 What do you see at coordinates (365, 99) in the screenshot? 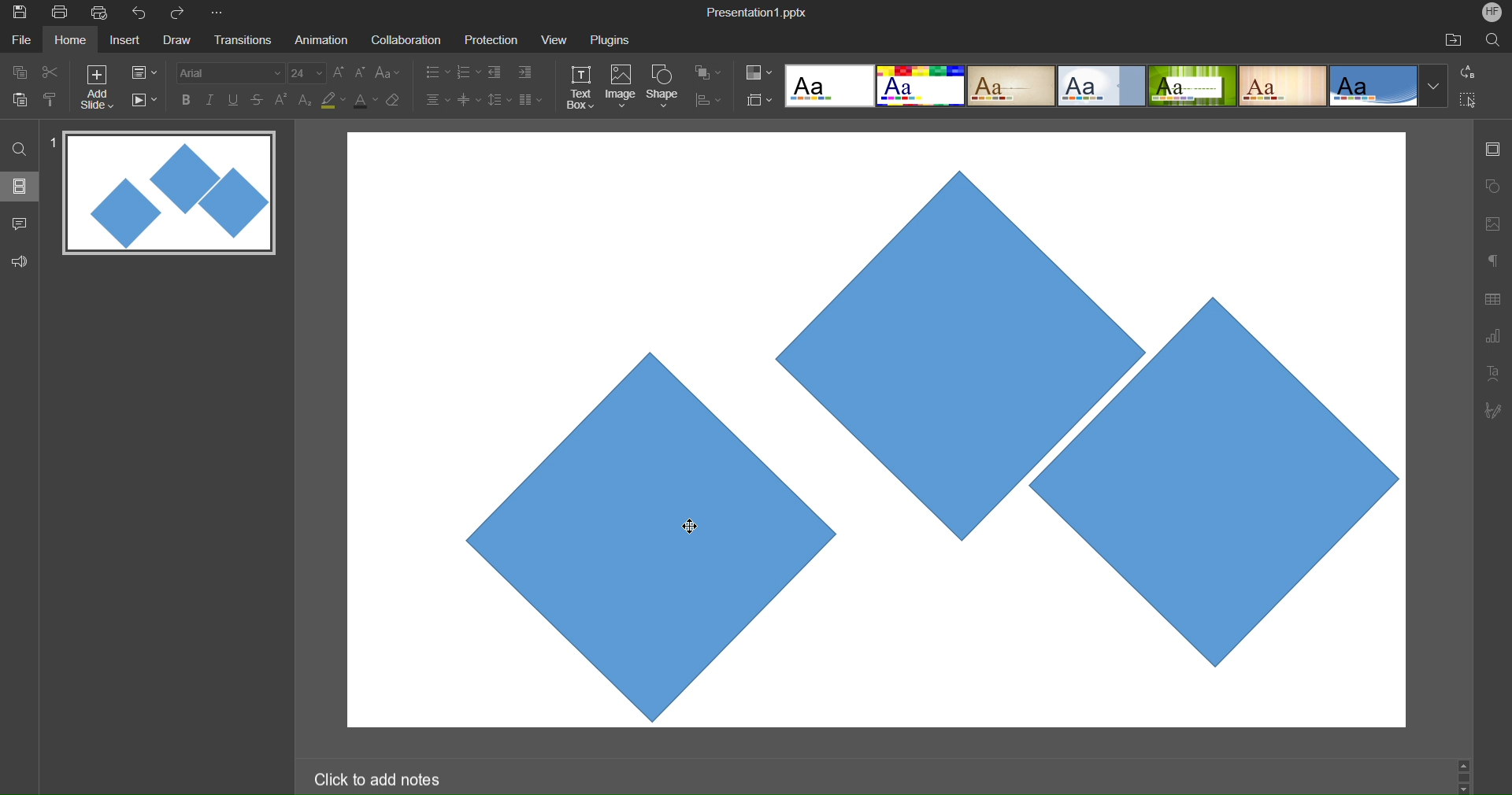
I see `Text Color` at bounding box center [365, 99].